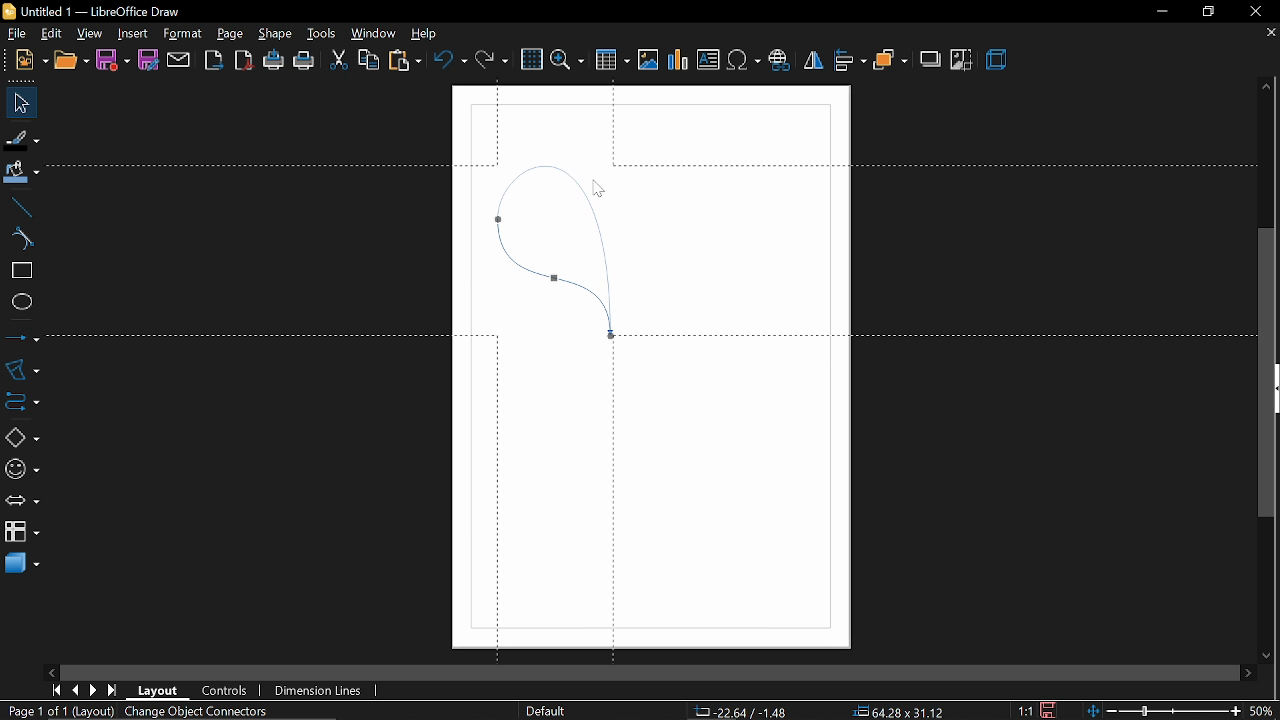 The width and height of the screenshot is (1280, 720). I want to click on Default, so click(546, 712).